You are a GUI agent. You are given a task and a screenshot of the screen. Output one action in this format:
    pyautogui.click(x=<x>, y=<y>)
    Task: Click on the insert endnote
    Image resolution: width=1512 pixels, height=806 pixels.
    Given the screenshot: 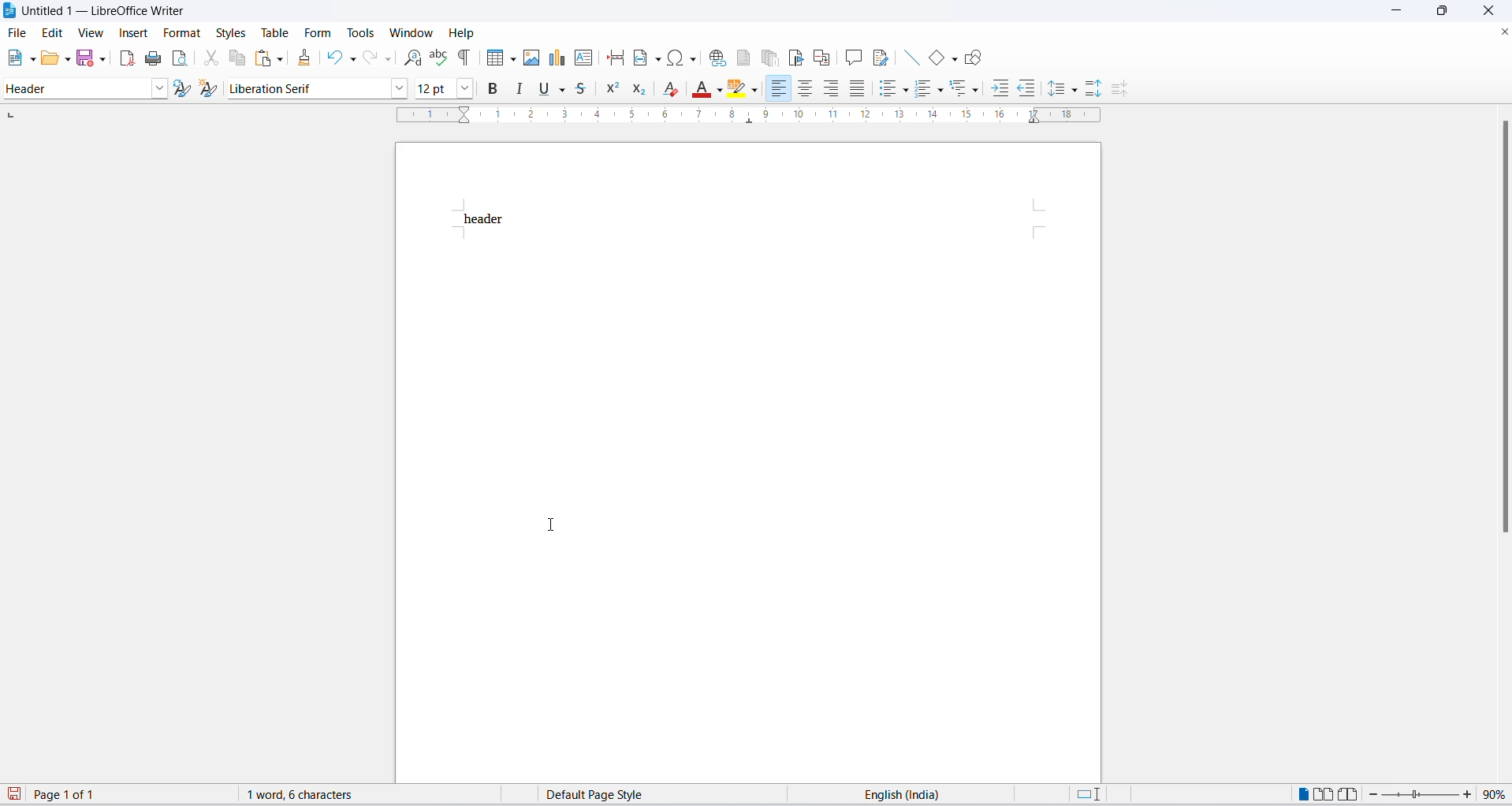 What is the action you would take?
    pyautogui.click(x=769, y=54)
    